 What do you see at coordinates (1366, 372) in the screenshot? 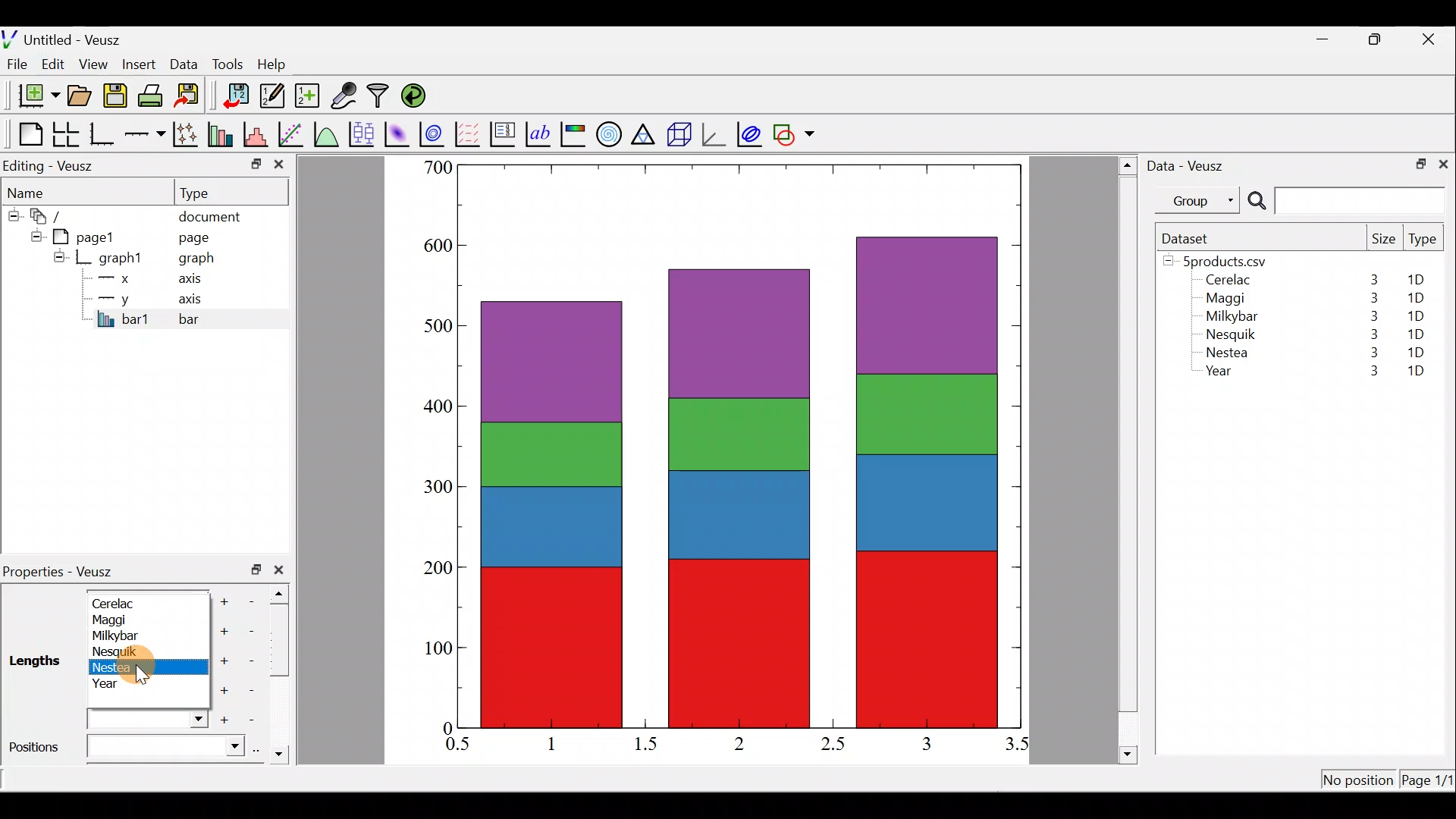
I see `3` at bounding box center [1366, 372].